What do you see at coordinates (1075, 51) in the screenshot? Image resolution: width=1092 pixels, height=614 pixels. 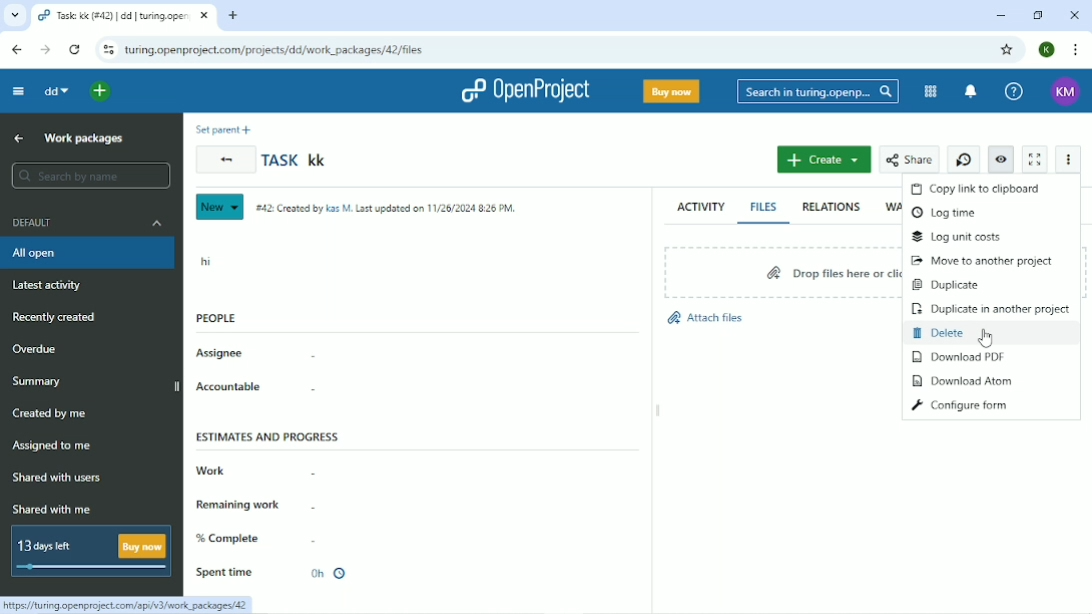 I see `Customize and control google chrome` at bounding box center [1075, 51].